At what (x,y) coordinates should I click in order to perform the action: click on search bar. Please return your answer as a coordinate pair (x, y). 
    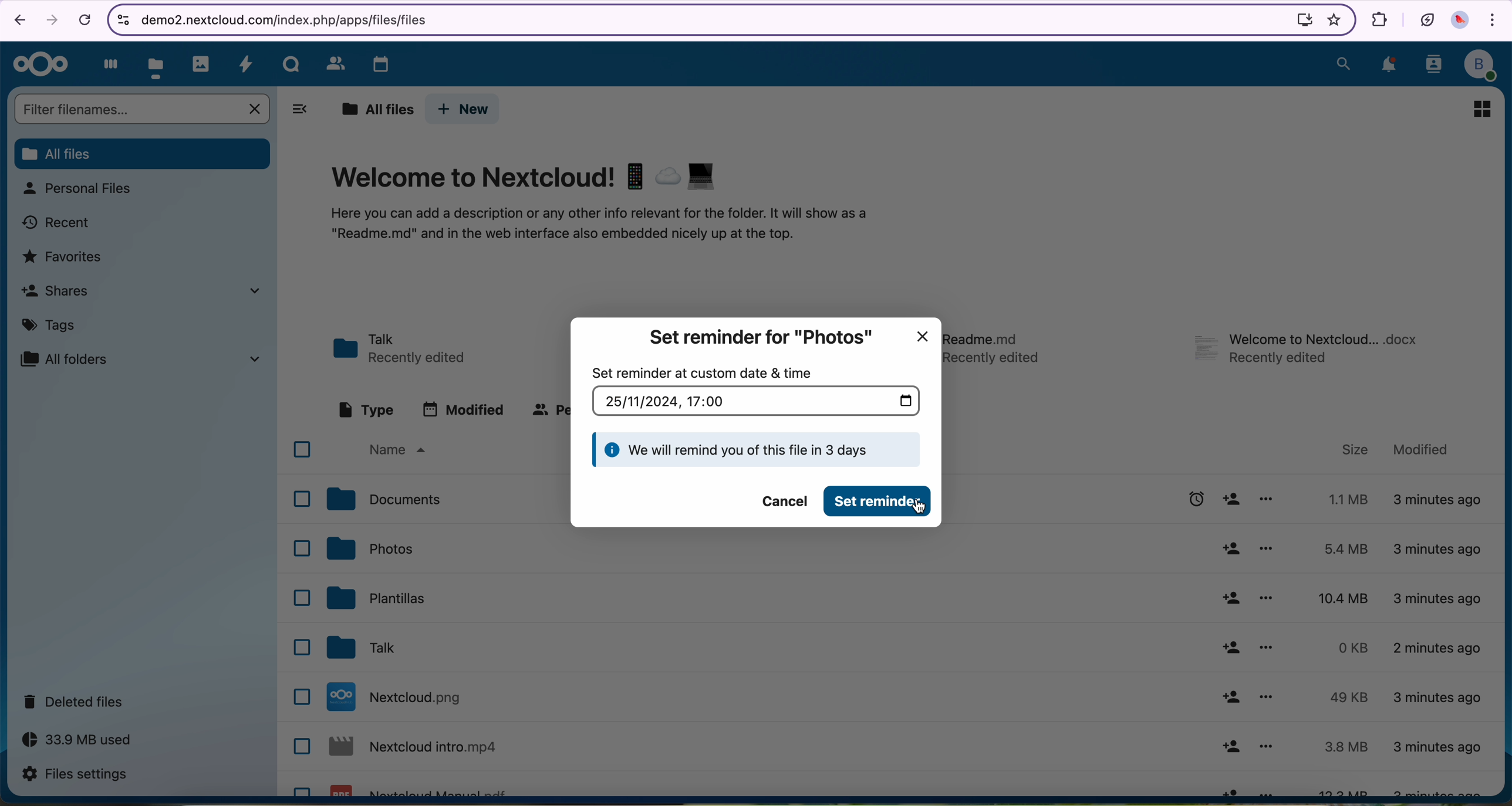
    Looking at the image, I should click on (140, 108).